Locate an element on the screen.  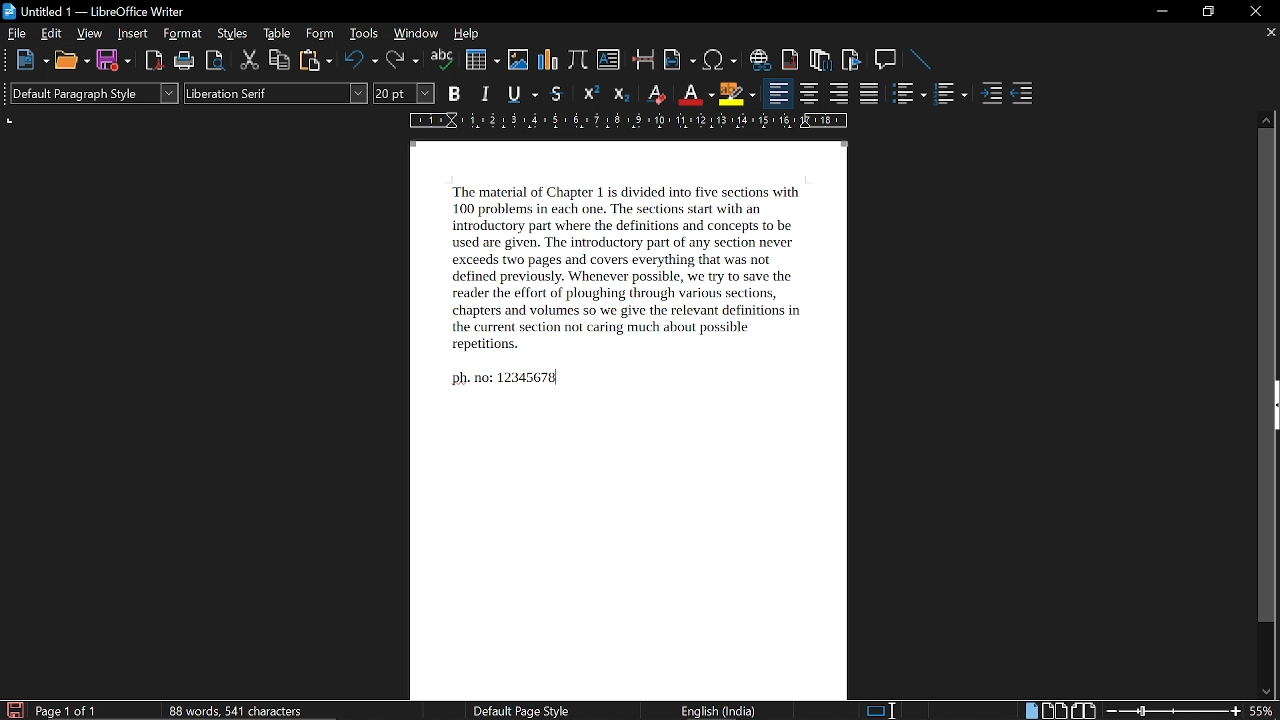
font style is located at coordinates (276, 93).